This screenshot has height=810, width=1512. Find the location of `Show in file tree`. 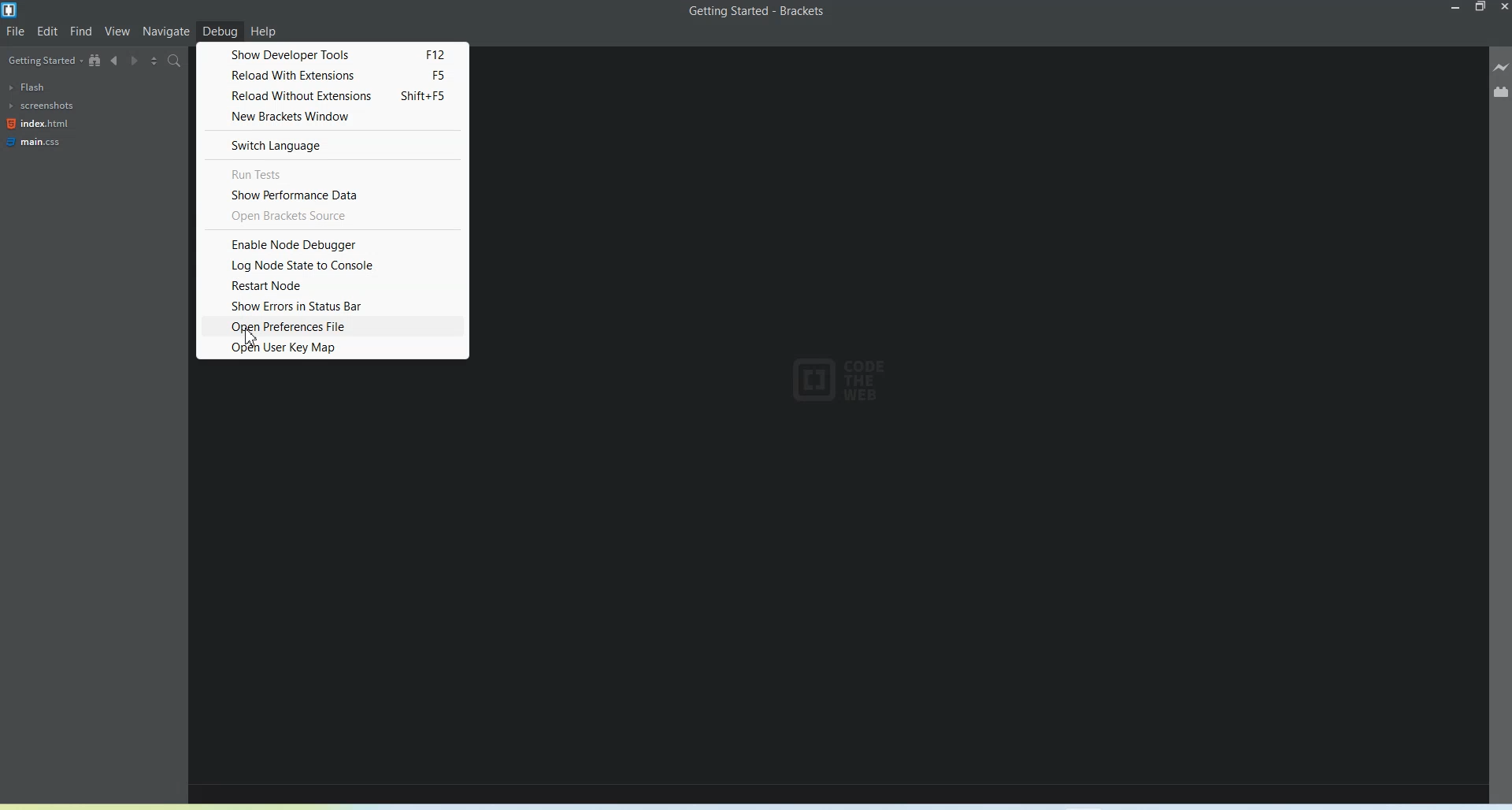

Show in file tree is located at coordinates (97, 61).